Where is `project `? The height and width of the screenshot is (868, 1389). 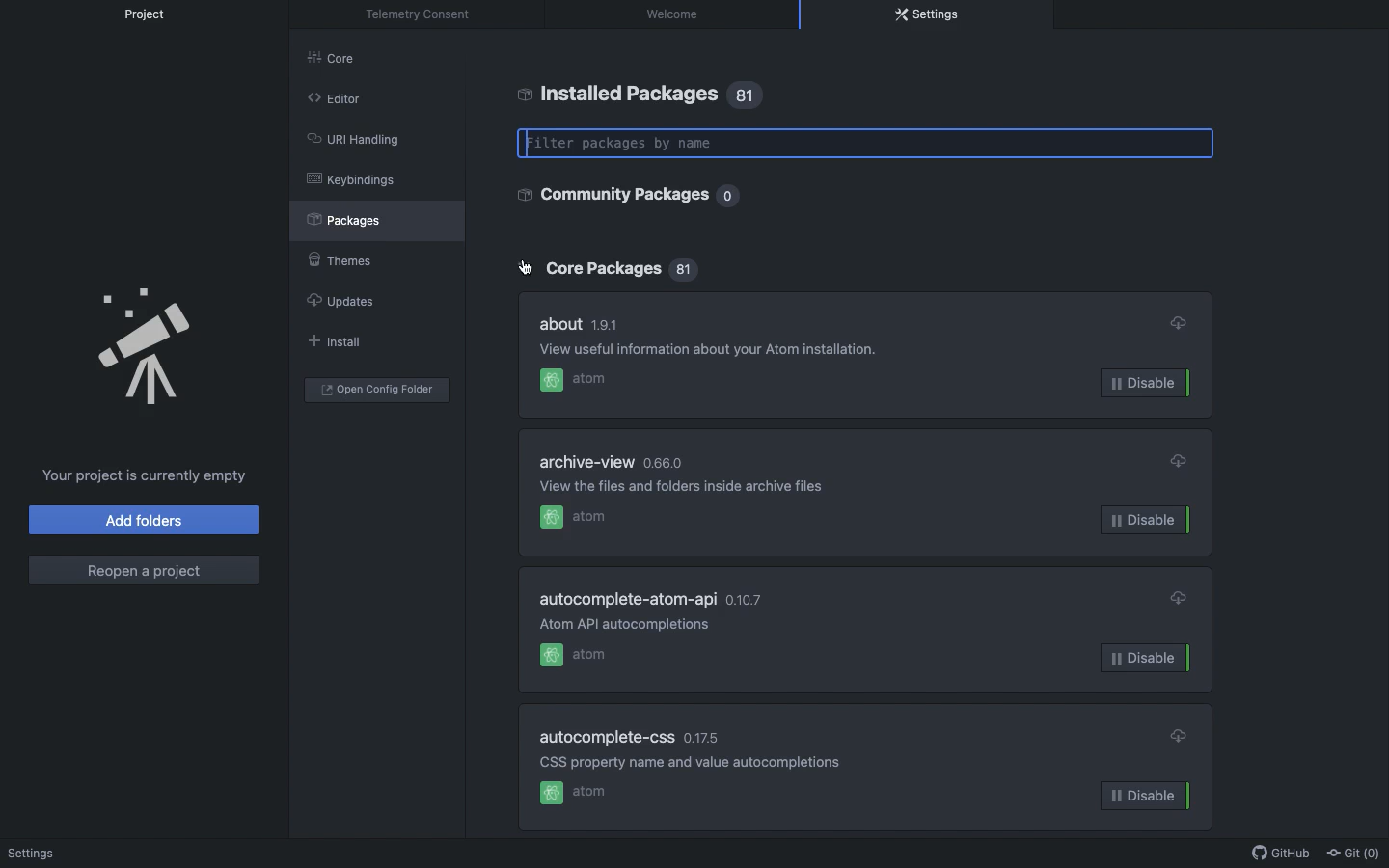 project  is located at coordinates (152, 14).